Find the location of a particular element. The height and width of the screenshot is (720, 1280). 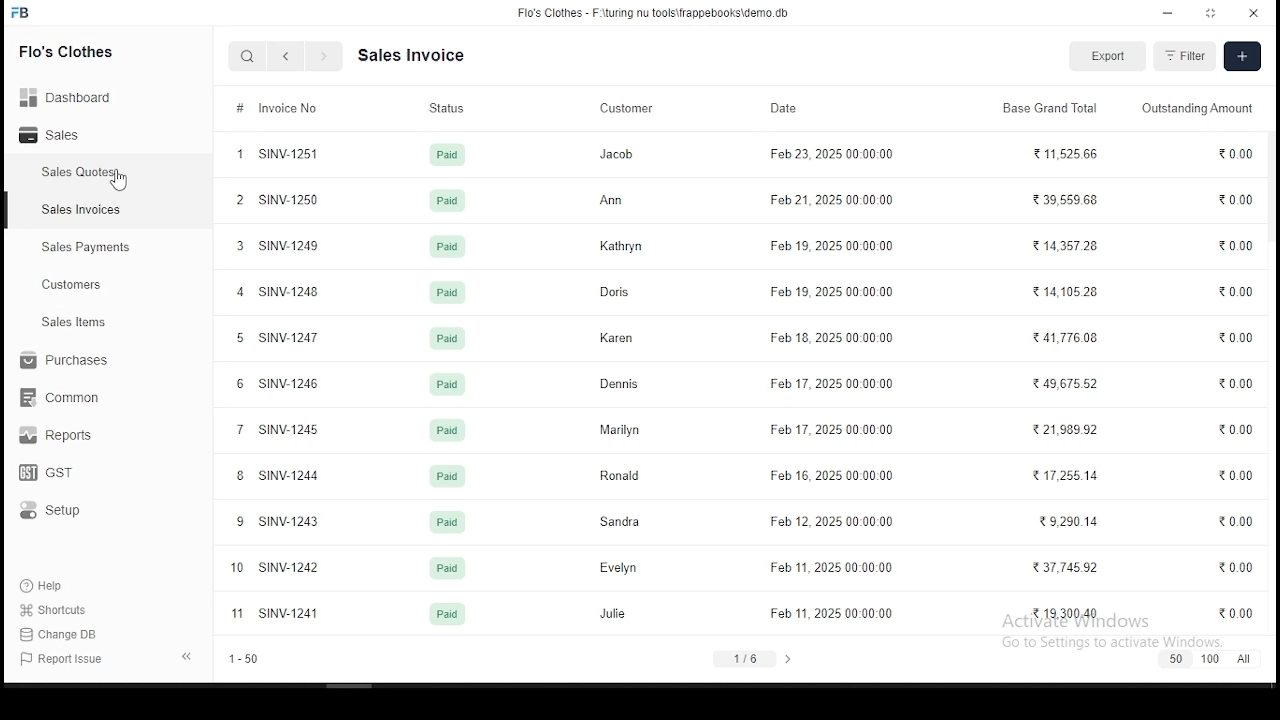

reports is located at coordinates (58, 437).